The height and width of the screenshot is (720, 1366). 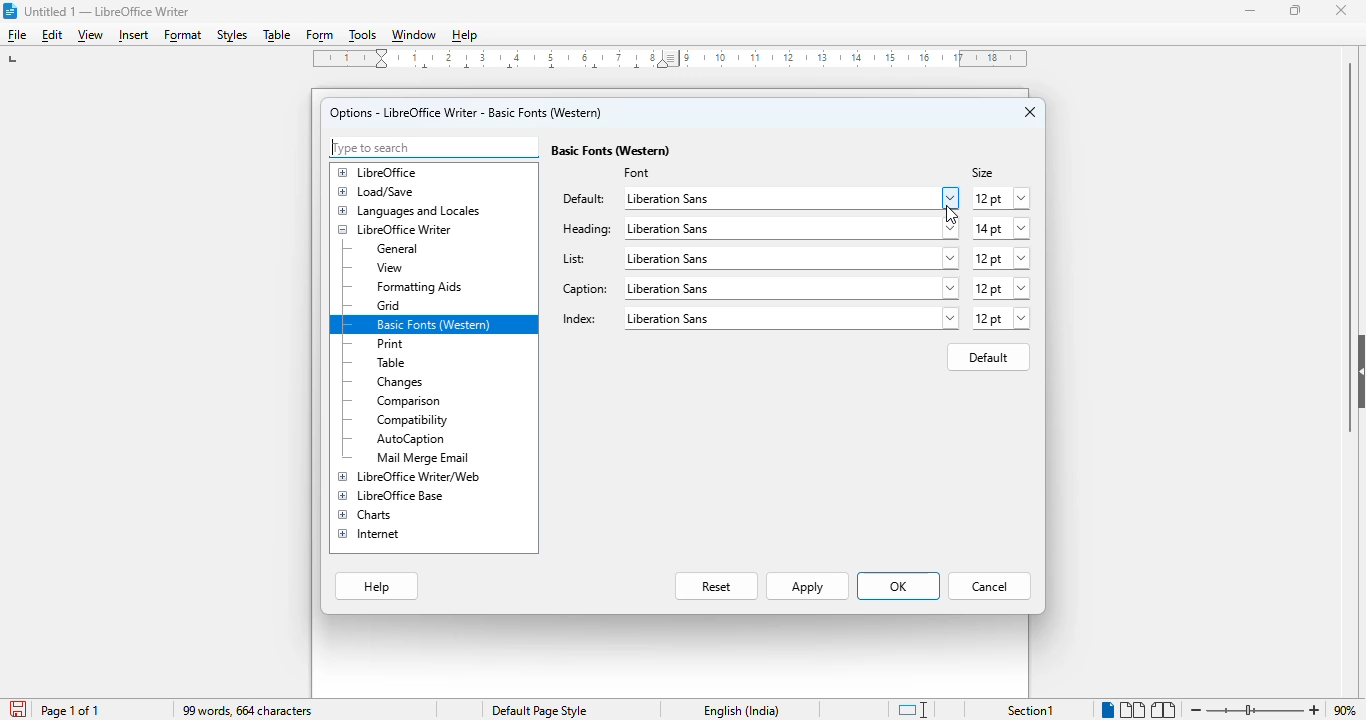 What do you see at coordinates (1342, 245) in the screenshot?
I see `vertical scroll bar` at bounding box center [1342, 245].